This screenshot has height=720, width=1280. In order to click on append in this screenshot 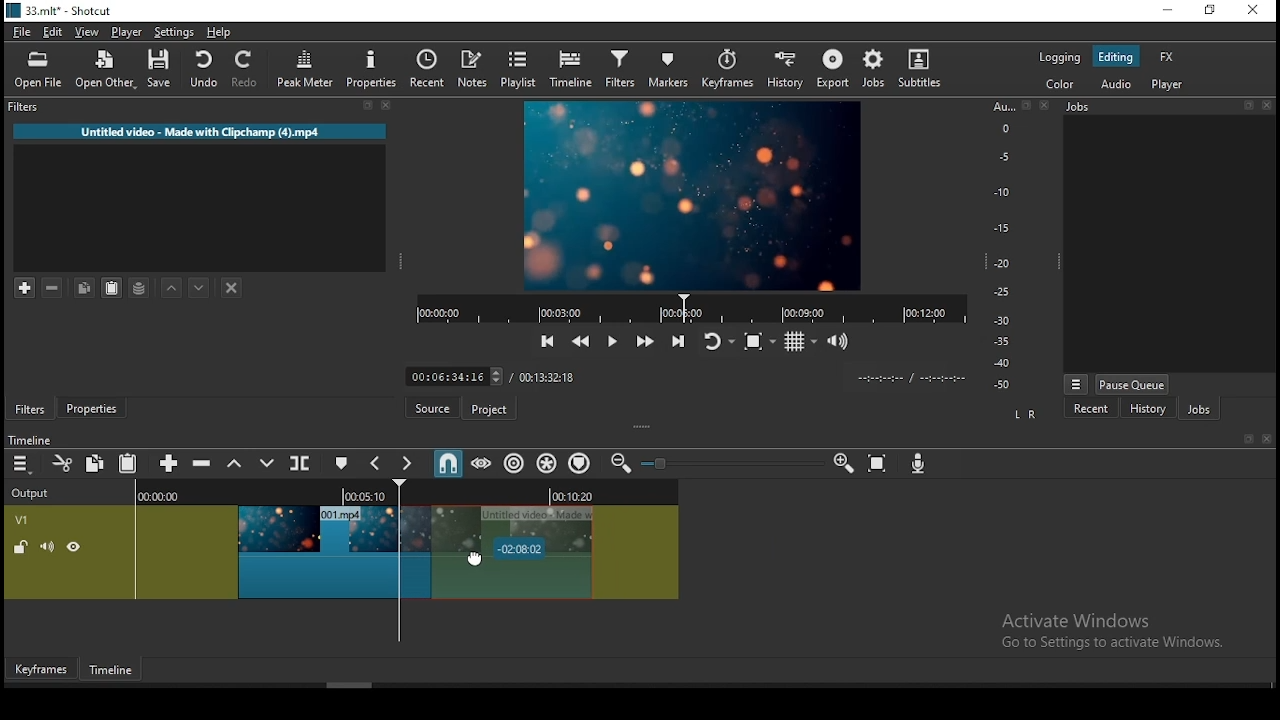, I will do `click(170, 464)`.